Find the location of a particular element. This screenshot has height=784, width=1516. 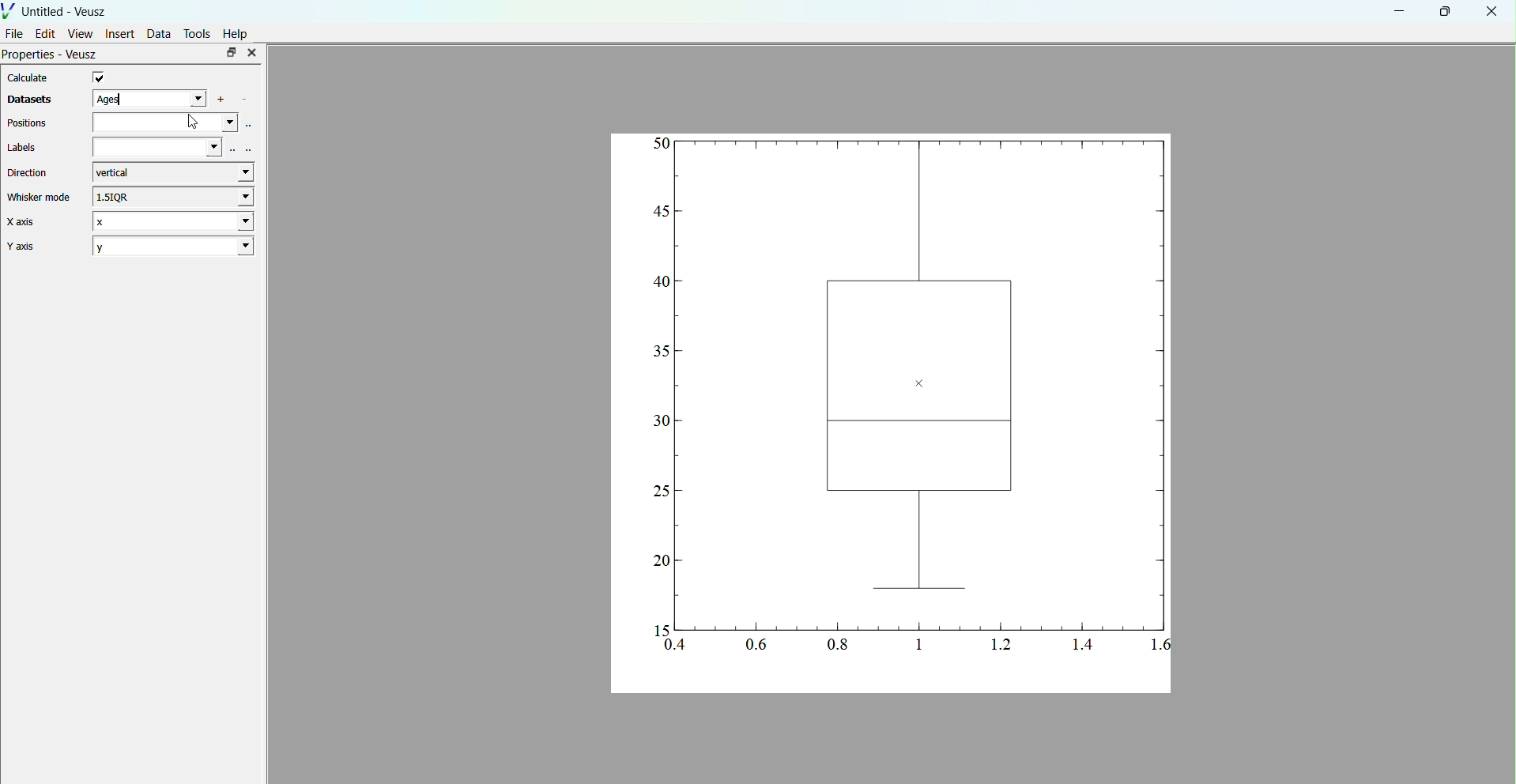

graphs is located at coordinates (893, 412).